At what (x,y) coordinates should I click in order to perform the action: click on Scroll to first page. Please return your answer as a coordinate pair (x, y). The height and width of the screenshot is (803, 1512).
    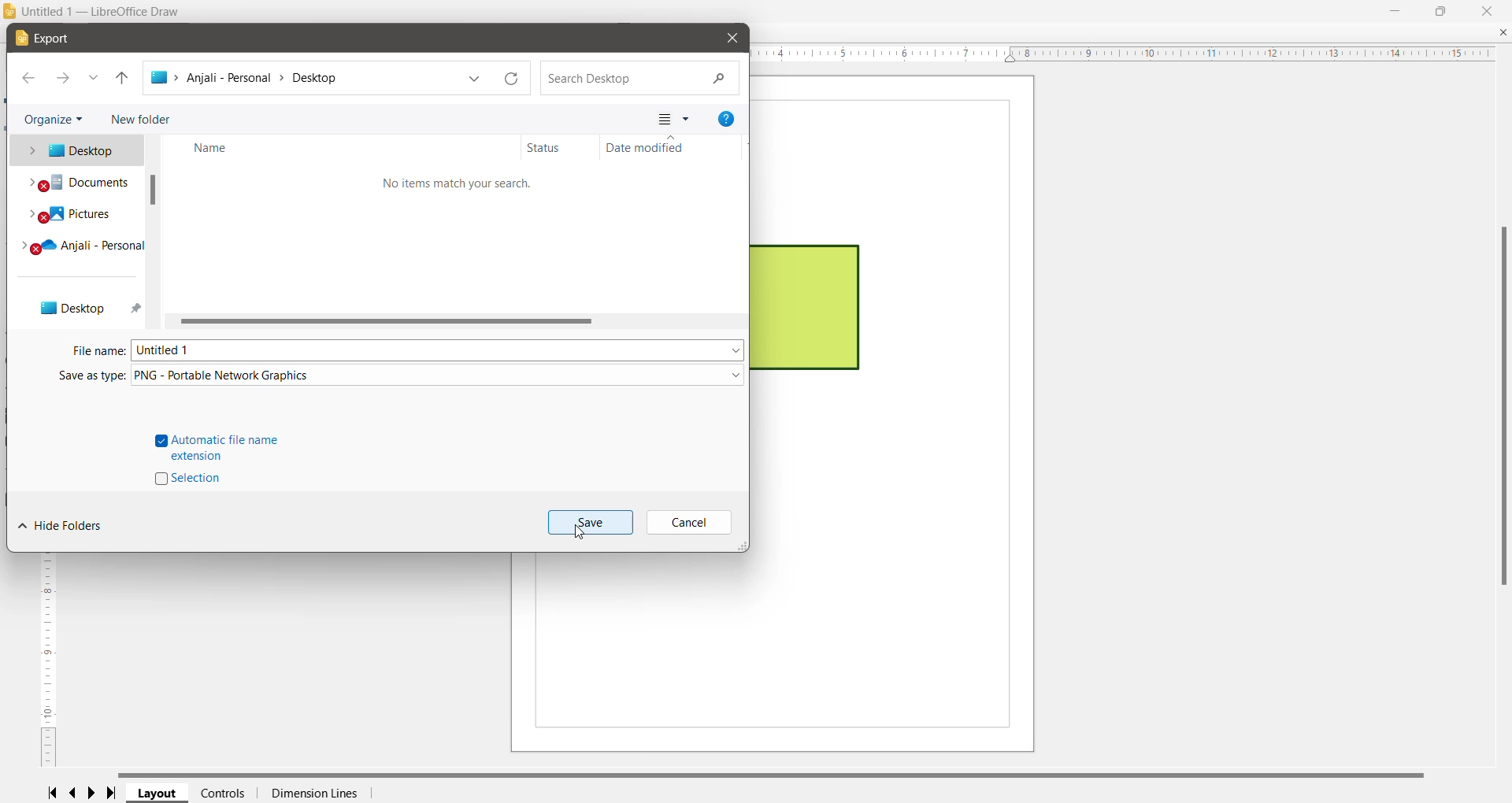
    Looking at the image, I should click on (51, 792).